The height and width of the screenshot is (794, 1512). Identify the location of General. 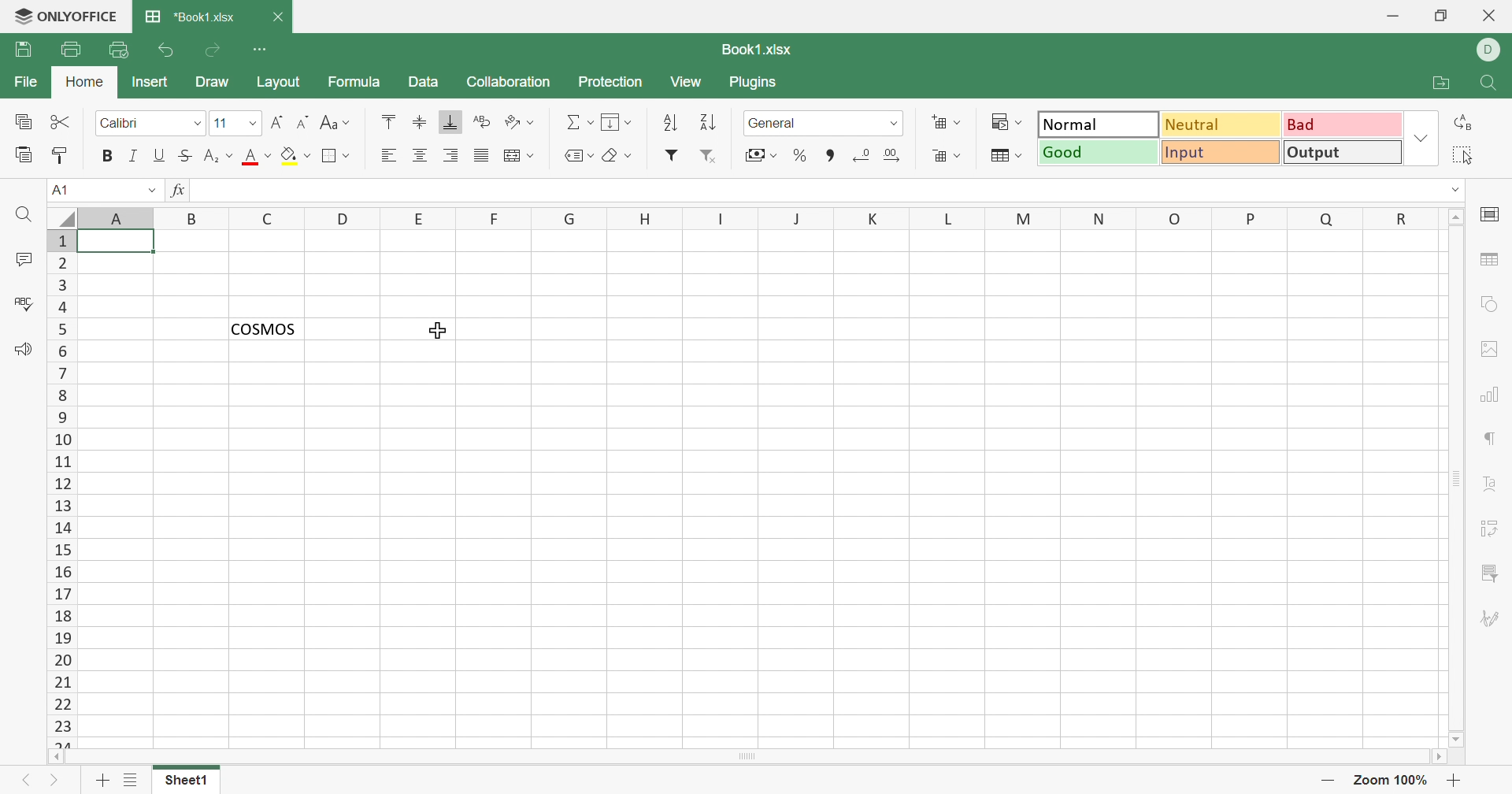
(809, 123).